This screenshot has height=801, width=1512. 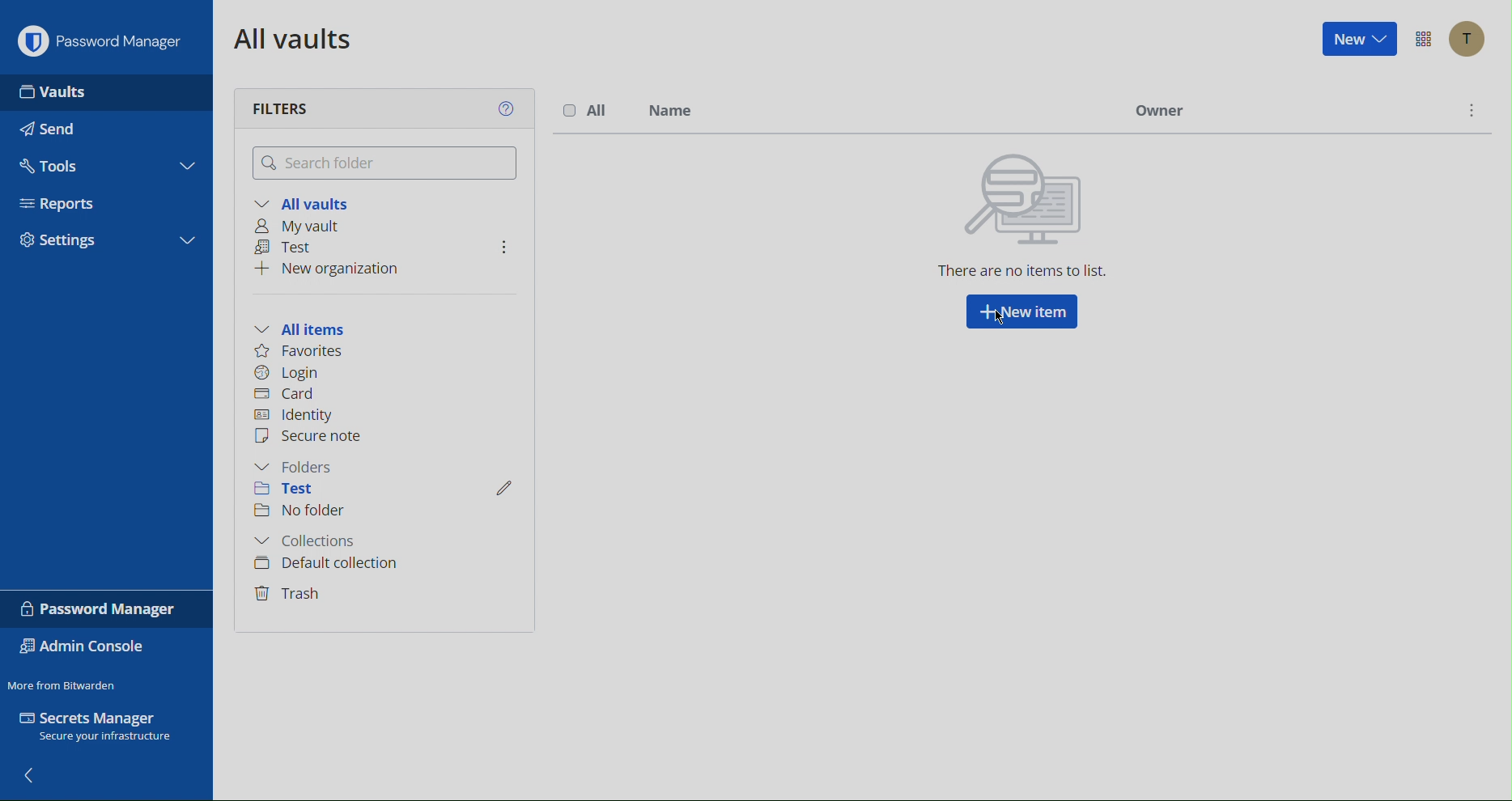 I want to click on Vaults, so click(x=57, y=89).